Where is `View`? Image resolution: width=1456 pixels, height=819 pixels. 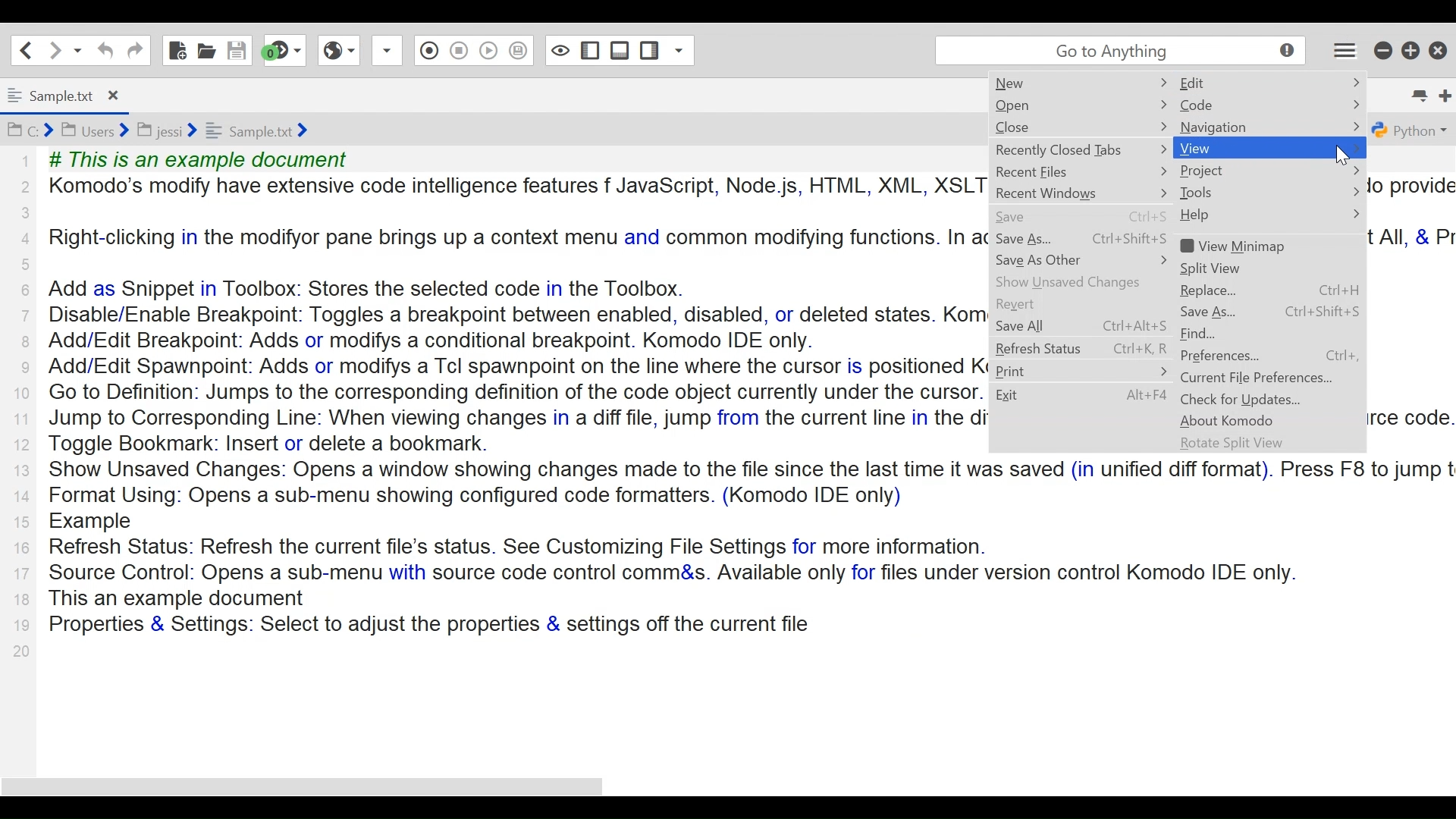
View is located at coordinates (1222, 148).